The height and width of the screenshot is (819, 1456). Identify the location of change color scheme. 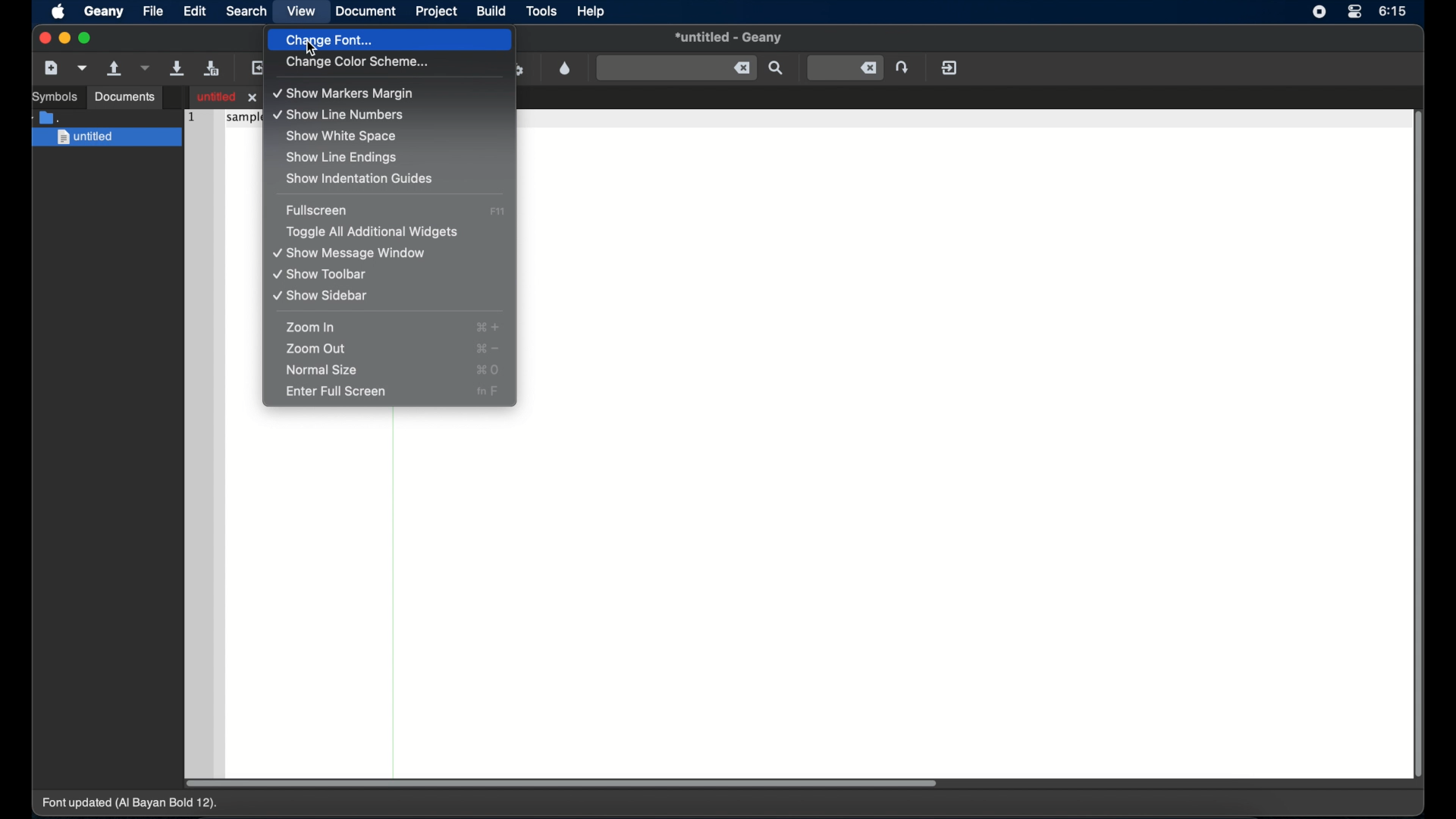
(357, 63).